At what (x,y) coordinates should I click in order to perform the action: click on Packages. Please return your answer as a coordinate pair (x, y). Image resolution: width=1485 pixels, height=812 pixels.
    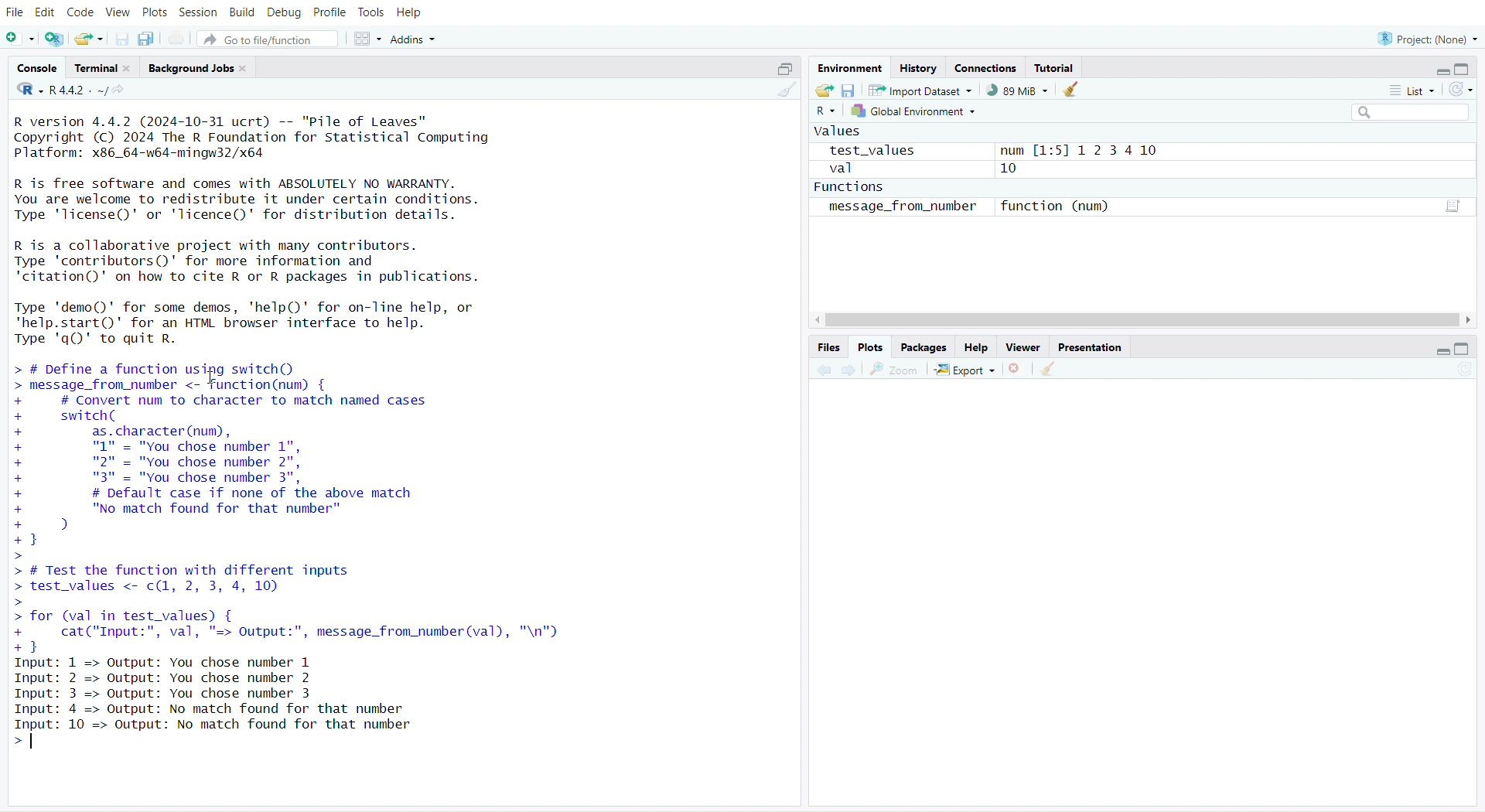
    Looking at the image, I should click on (925, 345).